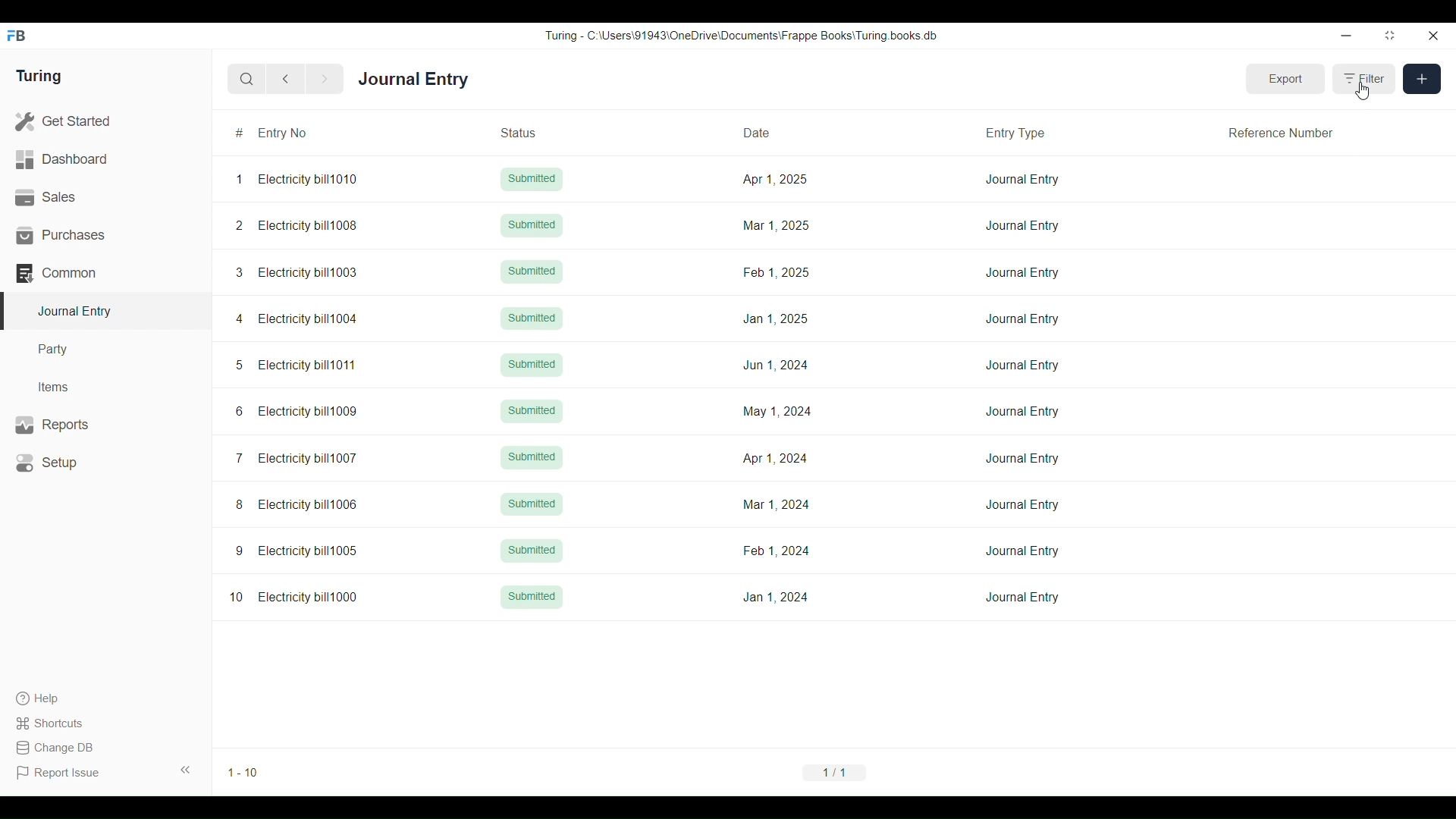 This screenshot has width=1456, height=819. I want to click on Frappe Books logo, so click(15, 36).